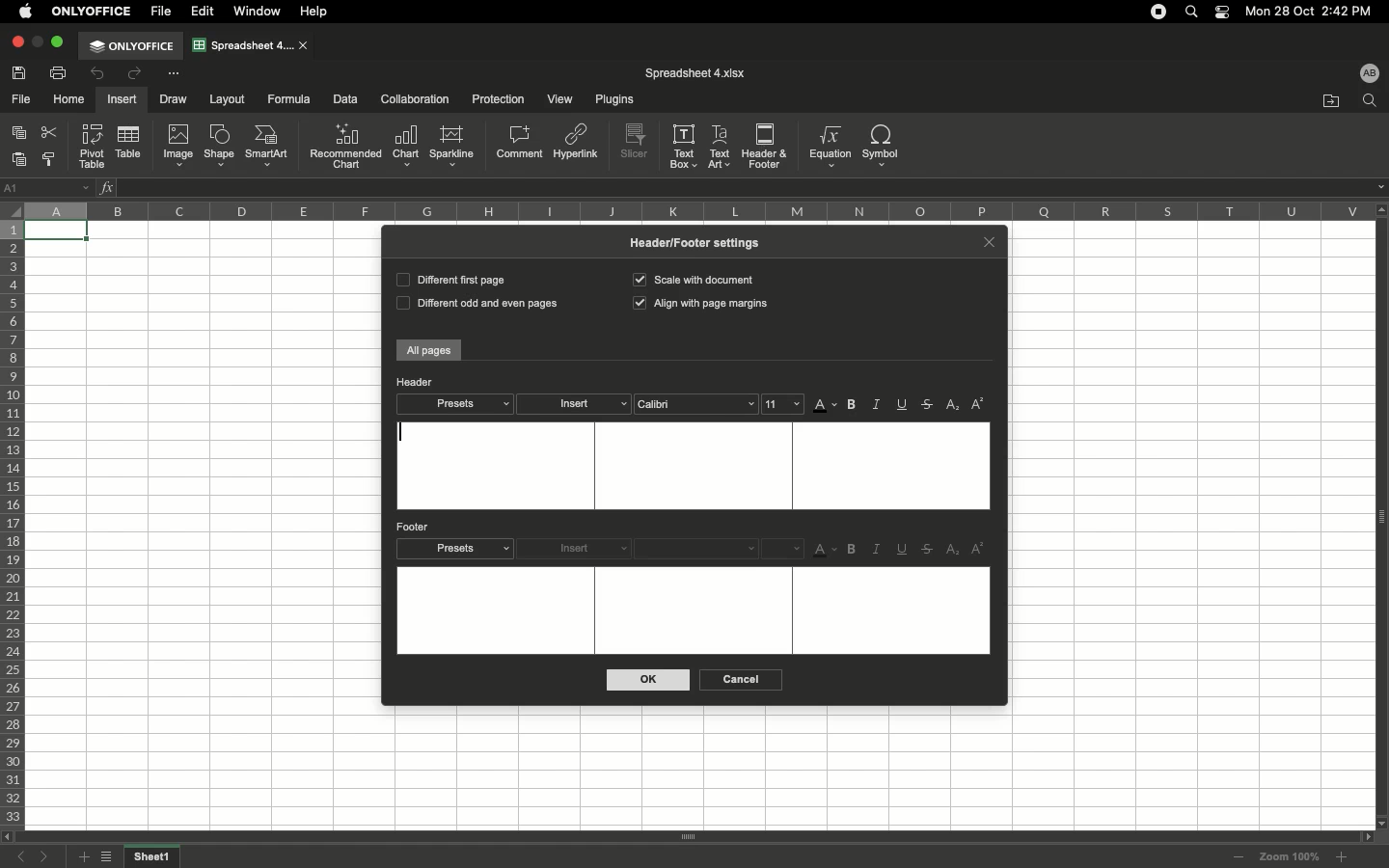  Describe the element at coordinates (695, 404) in the screenshot. I see `Calibri` at that location.